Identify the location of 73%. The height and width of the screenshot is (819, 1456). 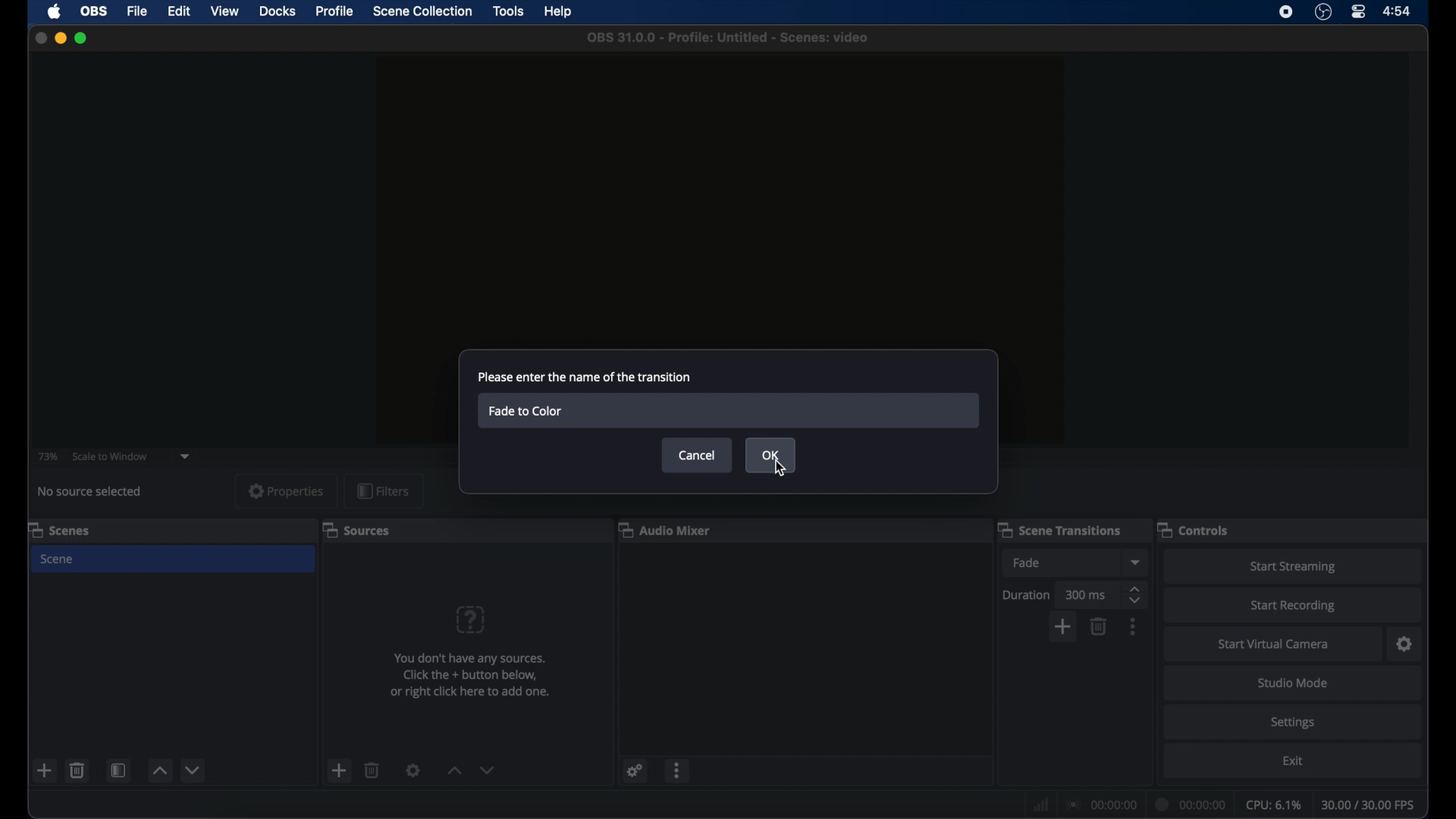
(46, 457).